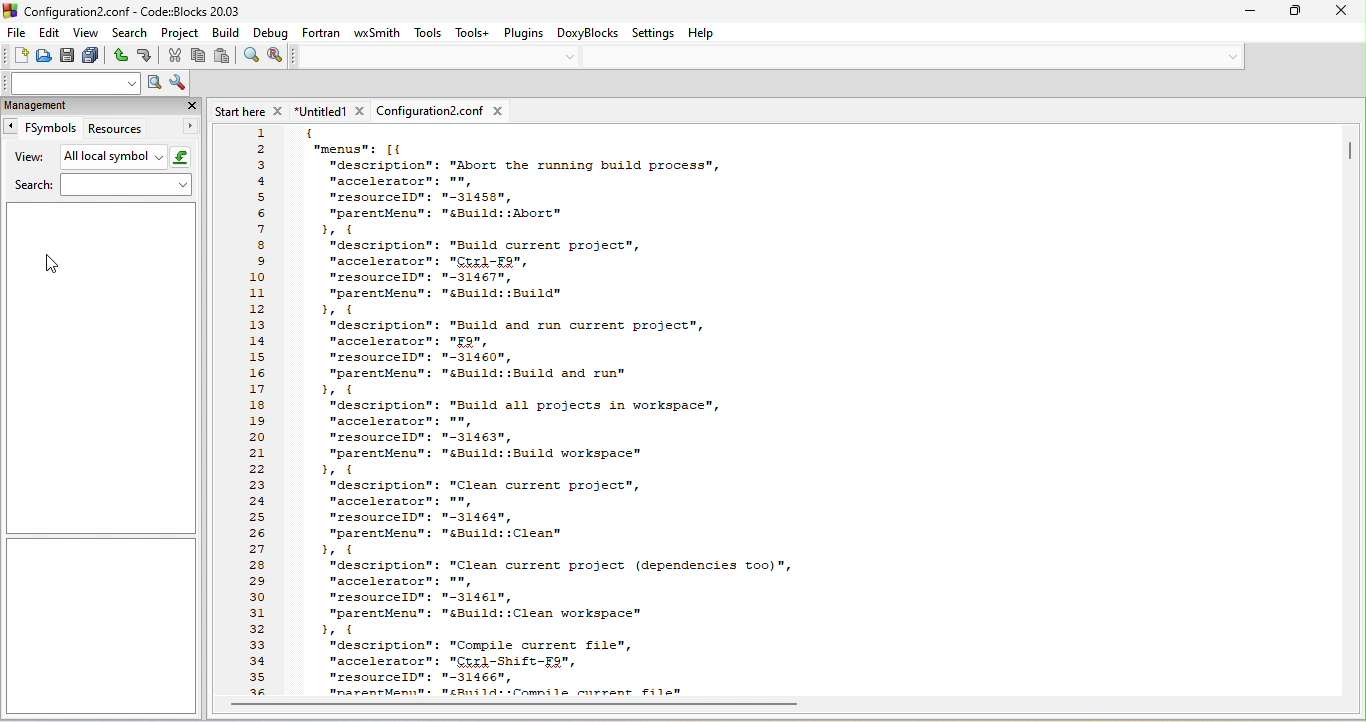 Image resolution: width=1366 pixels, height=722 pixels. I want to click on text to search, so click(69, 84).